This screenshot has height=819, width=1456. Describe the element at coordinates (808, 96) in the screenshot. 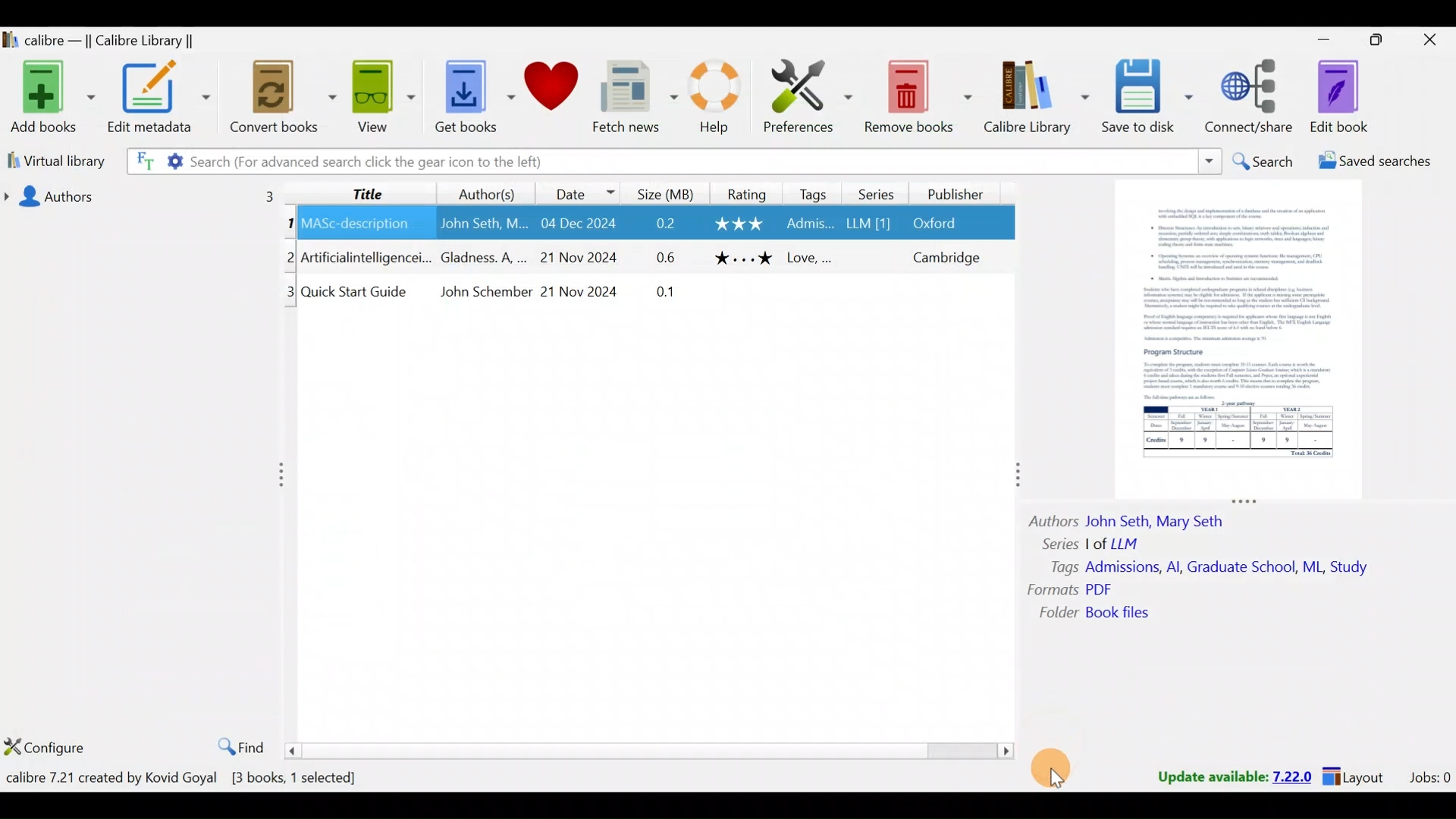

I see `Preferences` at that location.